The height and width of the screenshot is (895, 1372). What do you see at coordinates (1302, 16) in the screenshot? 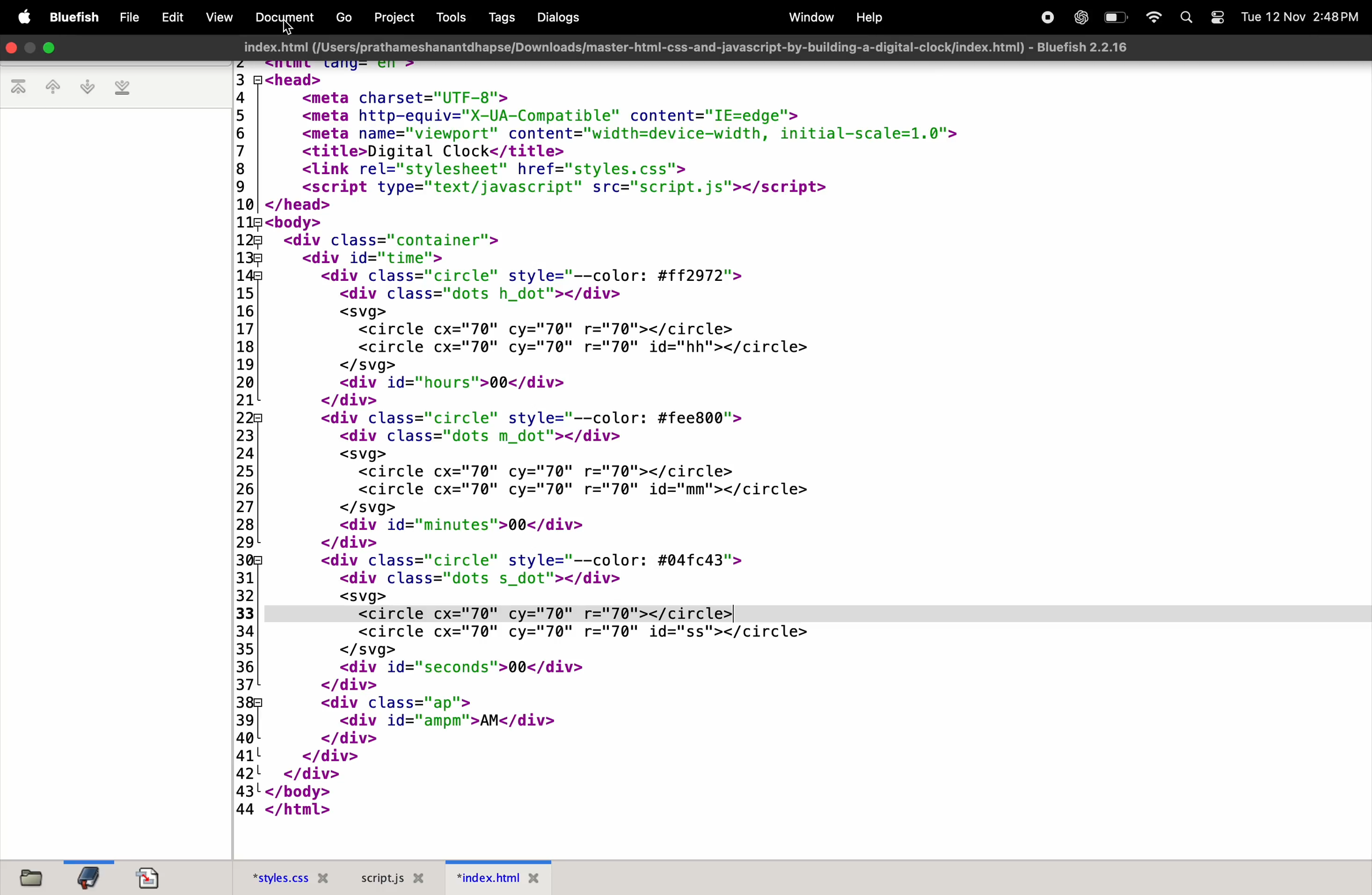
I see `date and time` at bounding box center [1302, 16].